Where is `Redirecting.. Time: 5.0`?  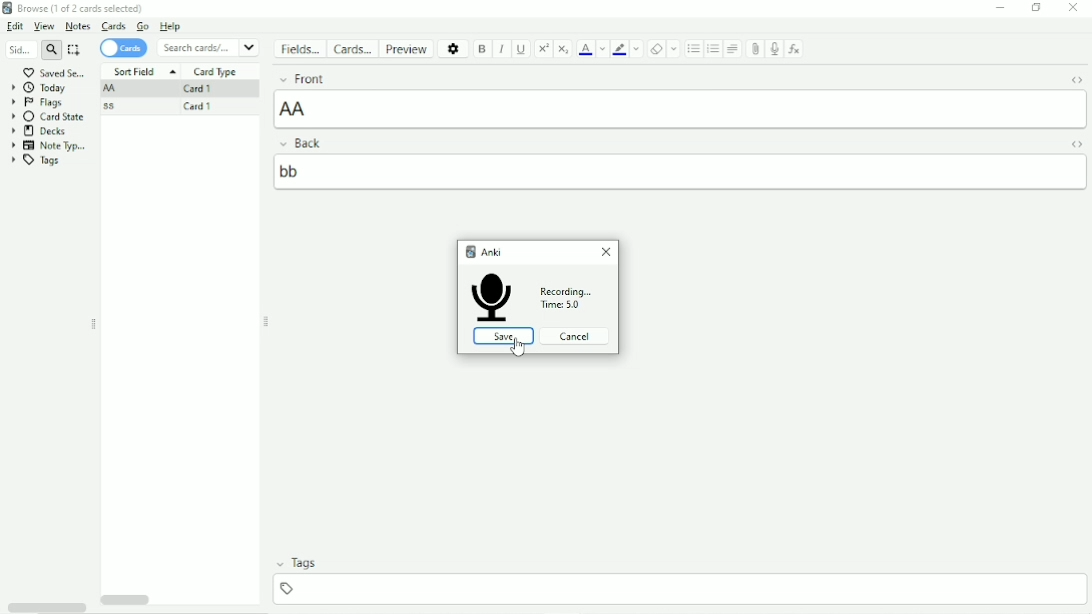
Redirecting.. Time: 5.0 is located at coordinates (572, 298).